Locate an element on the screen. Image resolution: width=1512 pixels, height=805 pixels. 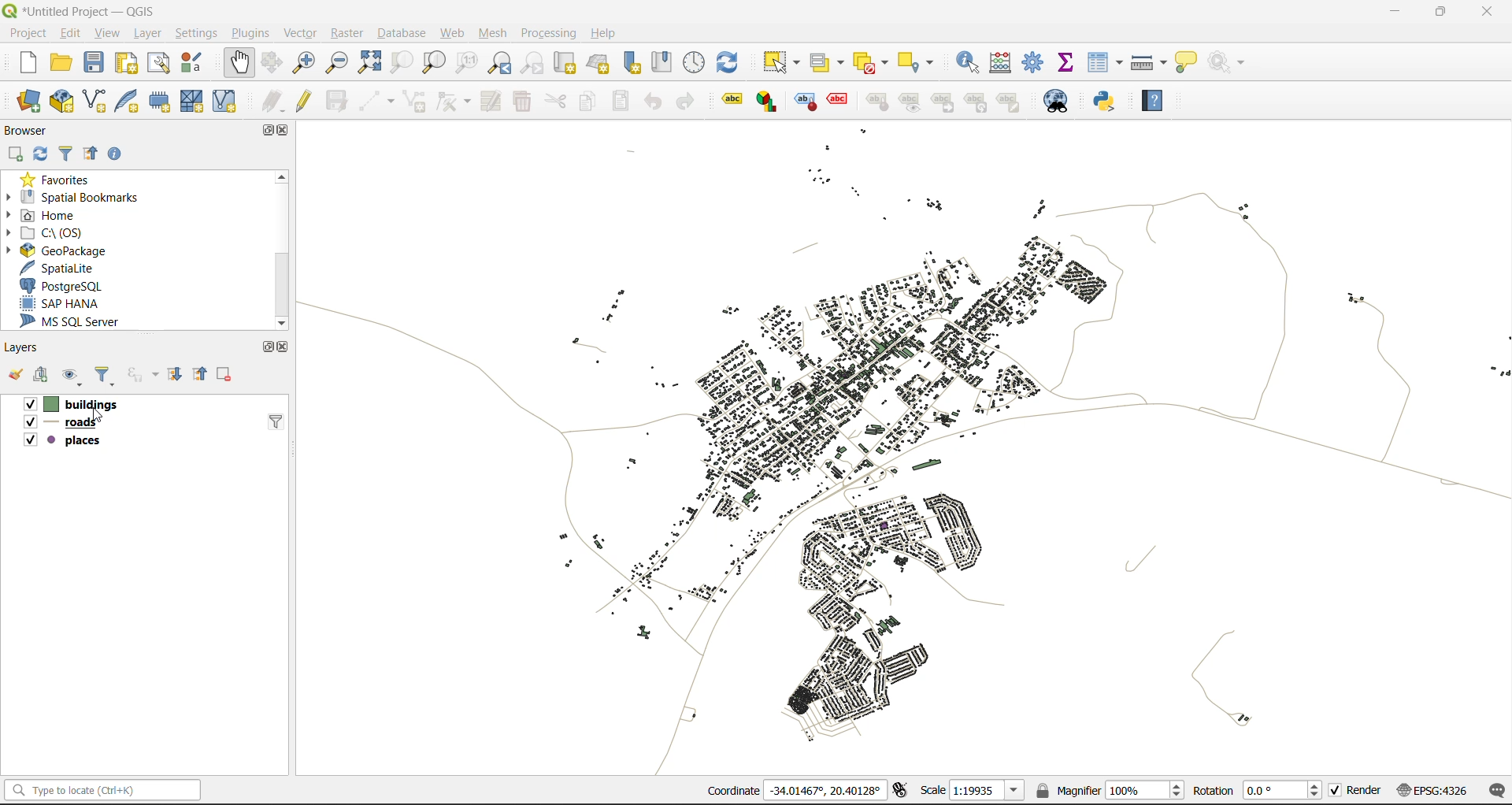
new spatial bookmarks is located at coordinates (629, 63).